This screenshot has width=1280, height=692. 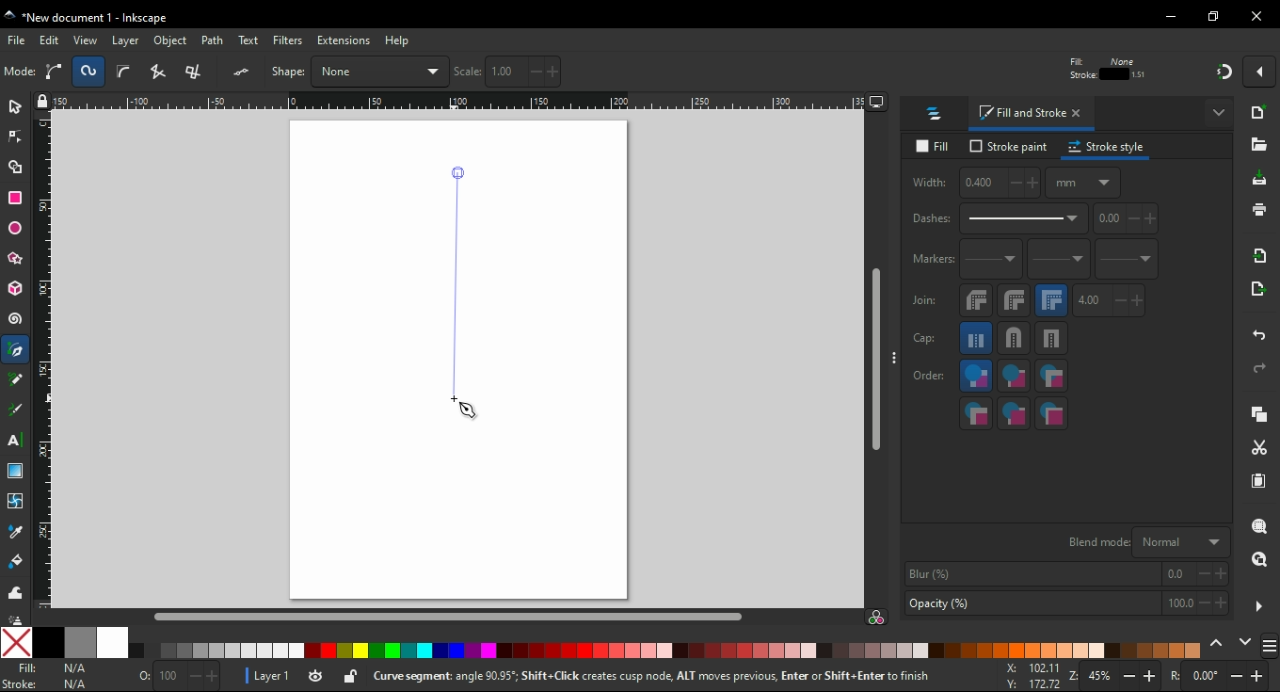 I want to click on mid markers, so click(x=1058, y=260).